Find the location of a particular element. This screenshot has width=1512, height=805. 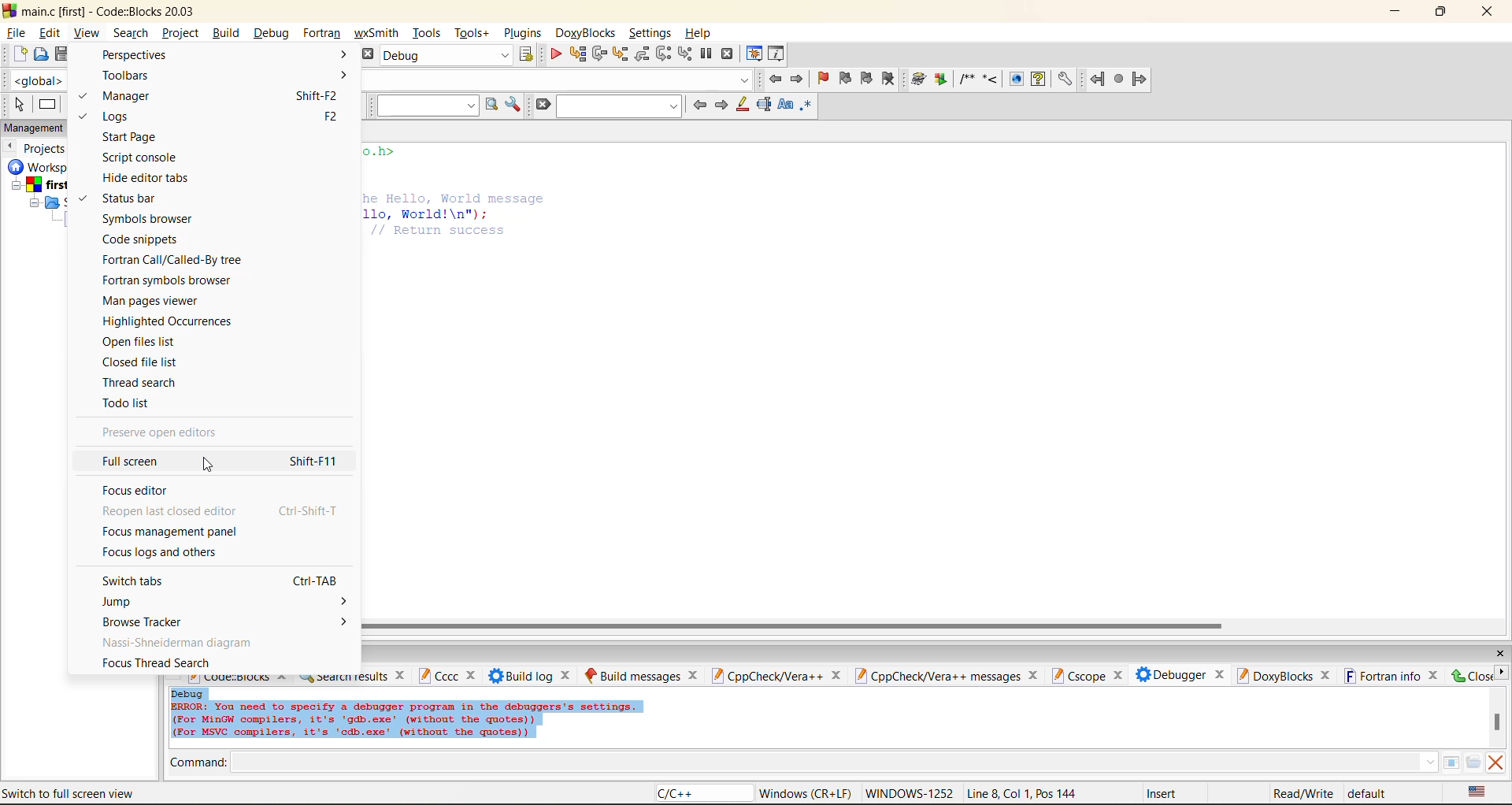

start page is located at coordinates (178, 137).